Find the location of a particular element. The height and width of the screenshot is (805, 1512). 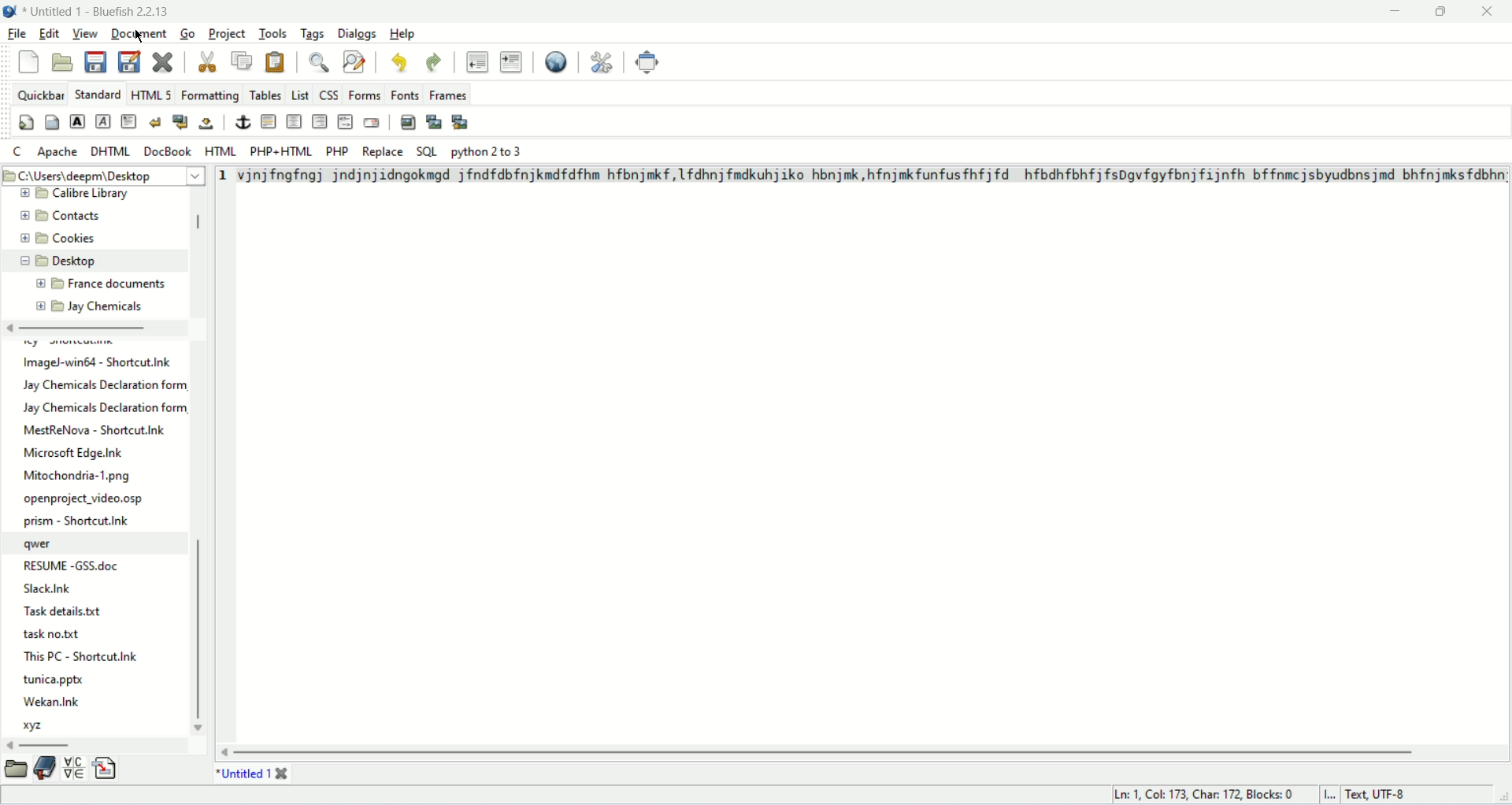

This PC - Shortcut.Ink is located at coordinates (80, 655).